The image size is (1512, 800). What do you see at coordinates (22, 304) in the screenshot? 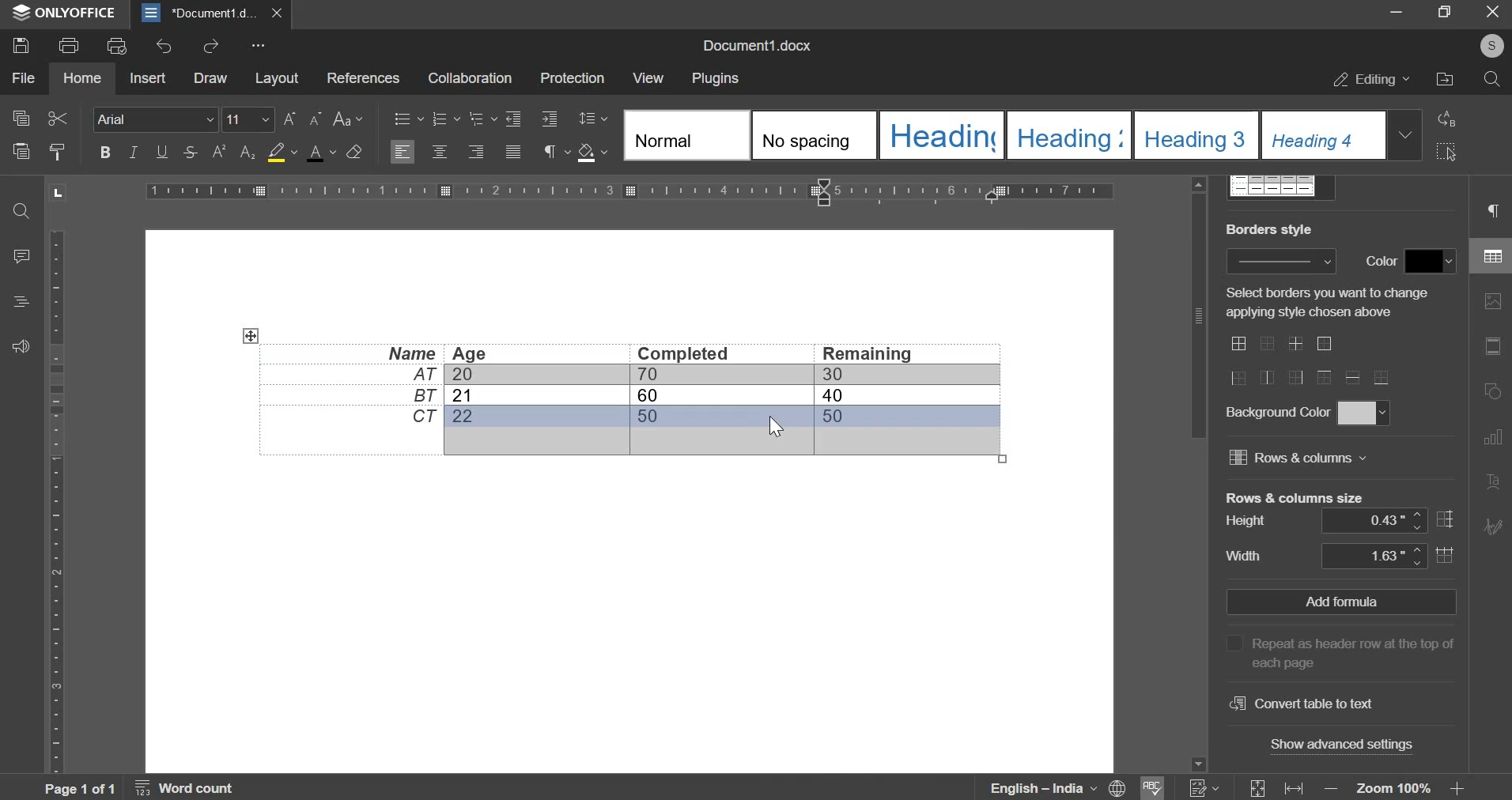
I see `alignment` at bounding box center [22, 304].